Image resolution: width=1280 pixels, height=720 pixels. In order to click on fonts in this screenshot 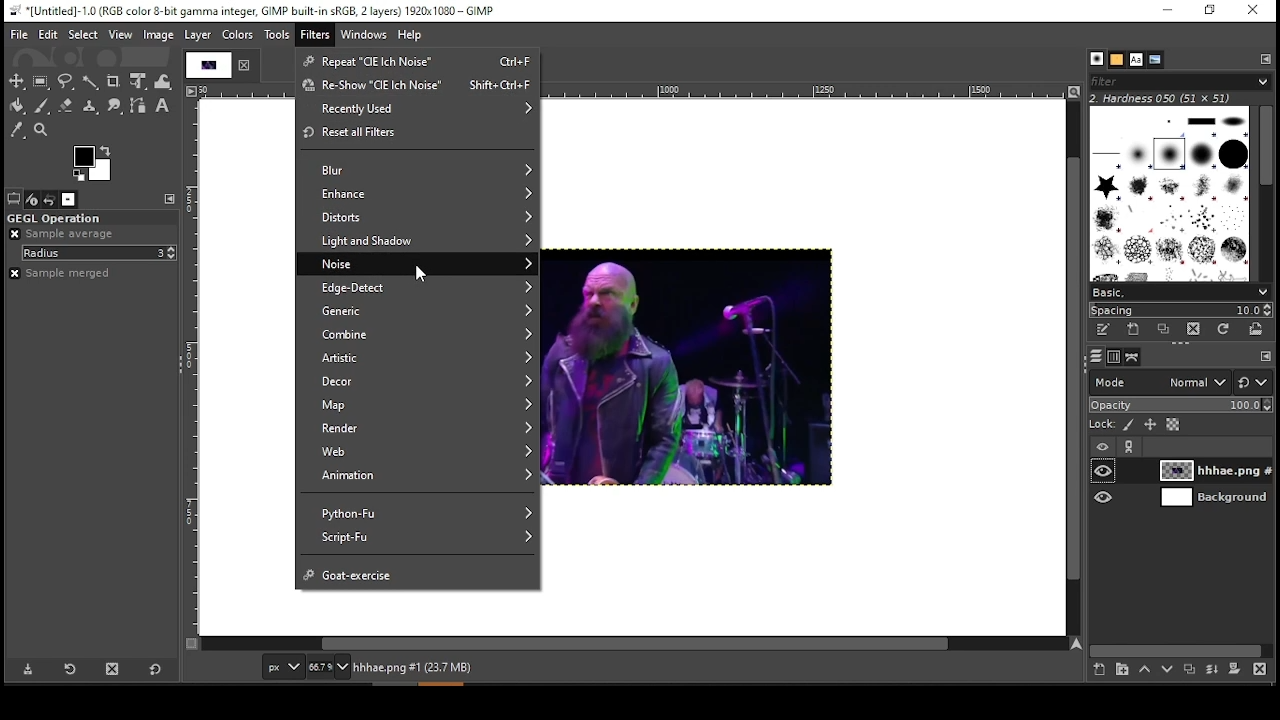, I will do `click(1136, 59)`.